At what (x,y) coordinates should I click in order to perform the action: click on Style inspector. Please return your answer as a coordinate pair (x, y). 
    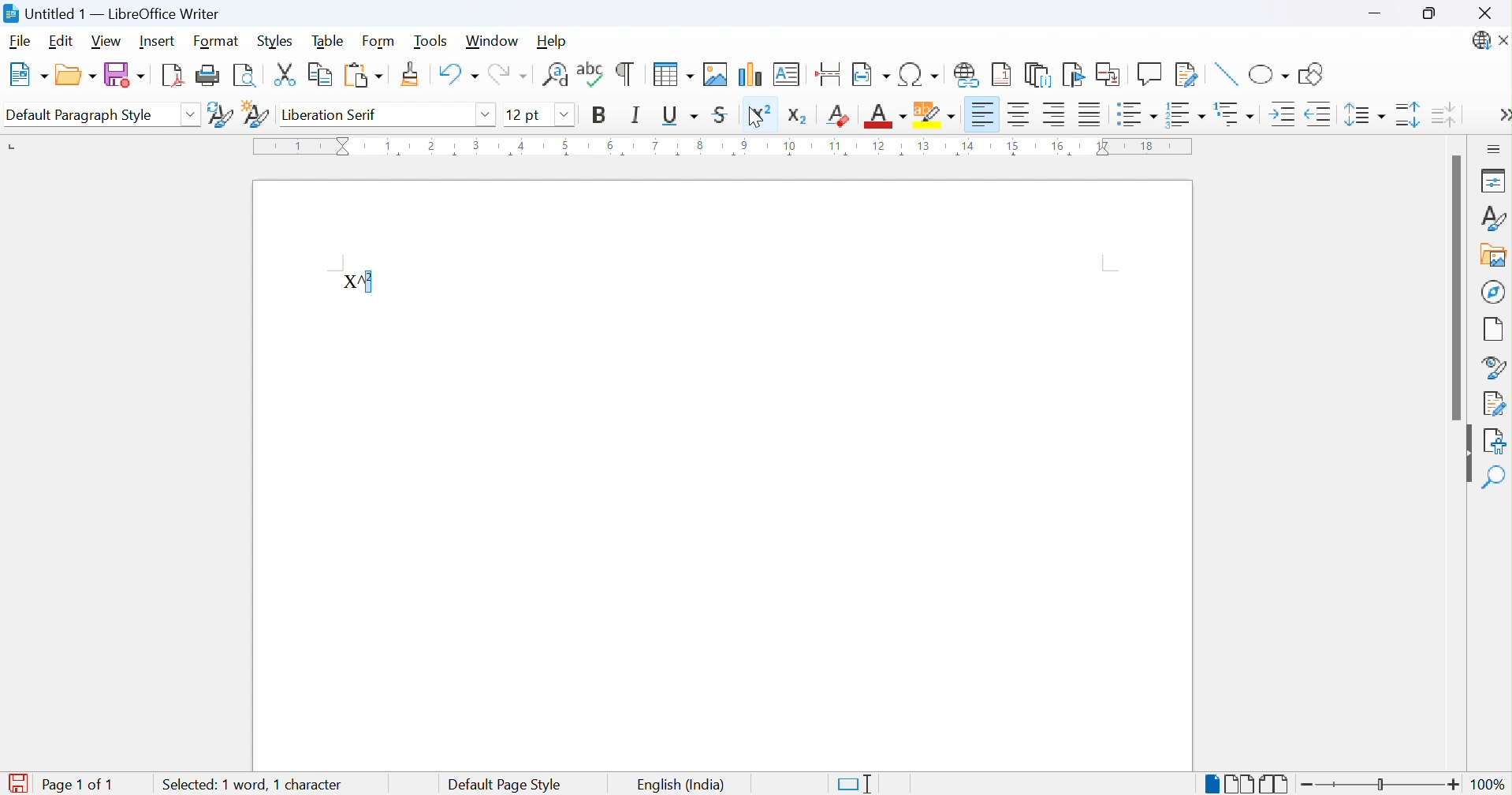
    Looking at the image, I should click on (1492, 366).